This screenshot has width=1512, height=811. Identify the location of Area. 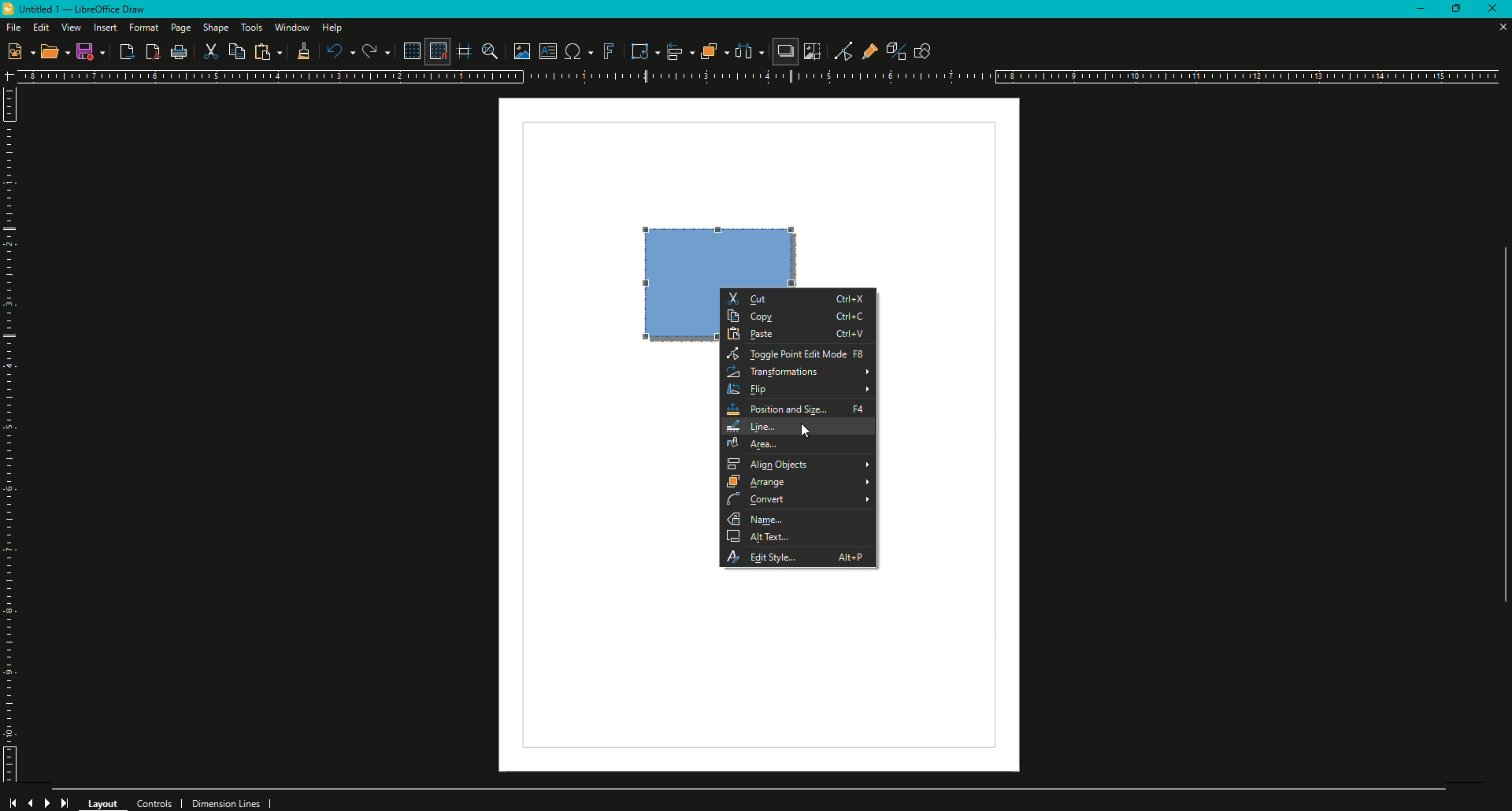
(800, 445).